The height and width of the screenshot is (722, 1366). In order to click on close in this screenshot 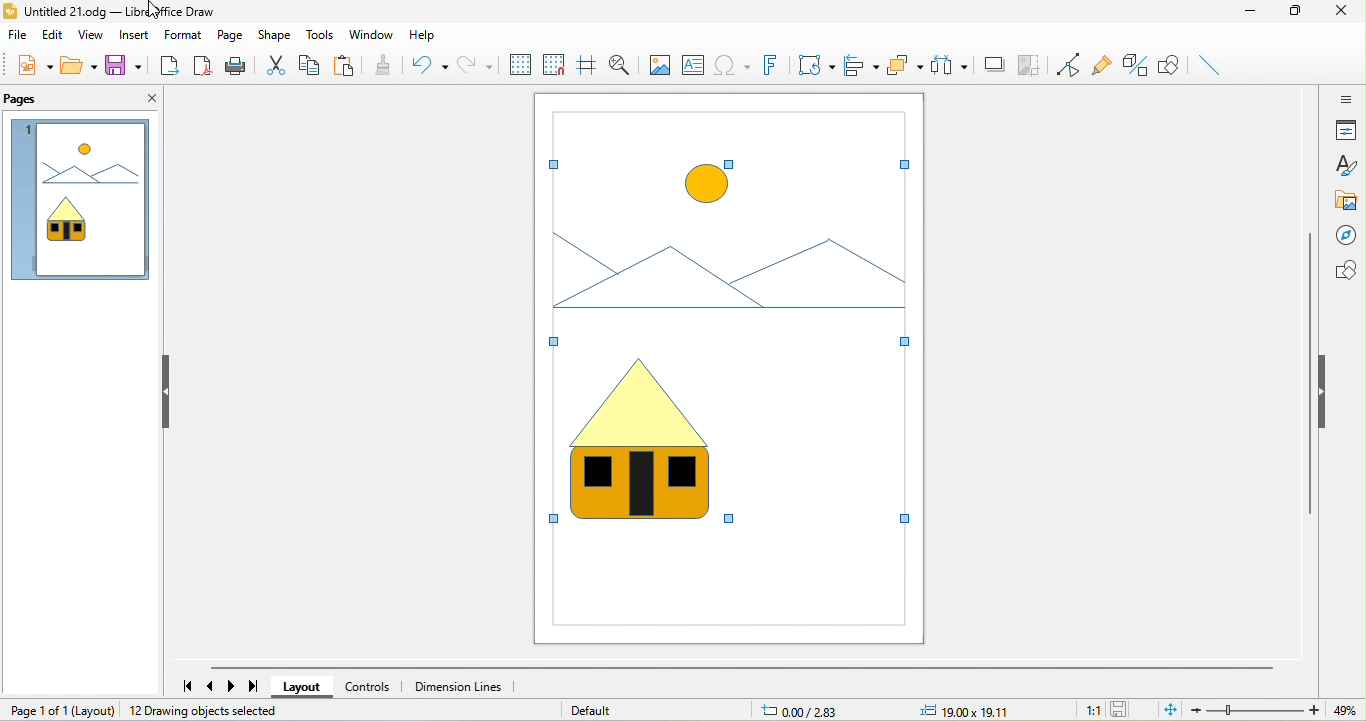, I will do `click(145, 102)`.